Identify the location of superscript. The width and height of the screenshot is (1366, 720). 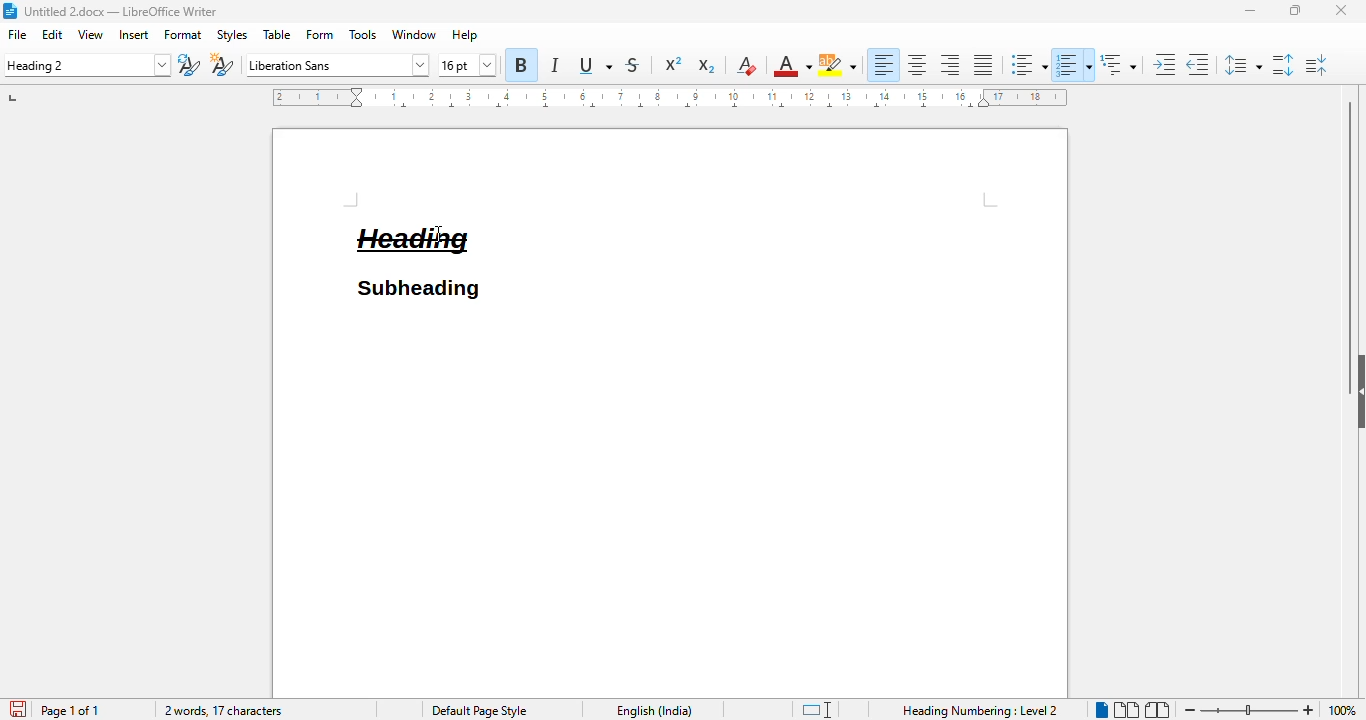
(674, 64).